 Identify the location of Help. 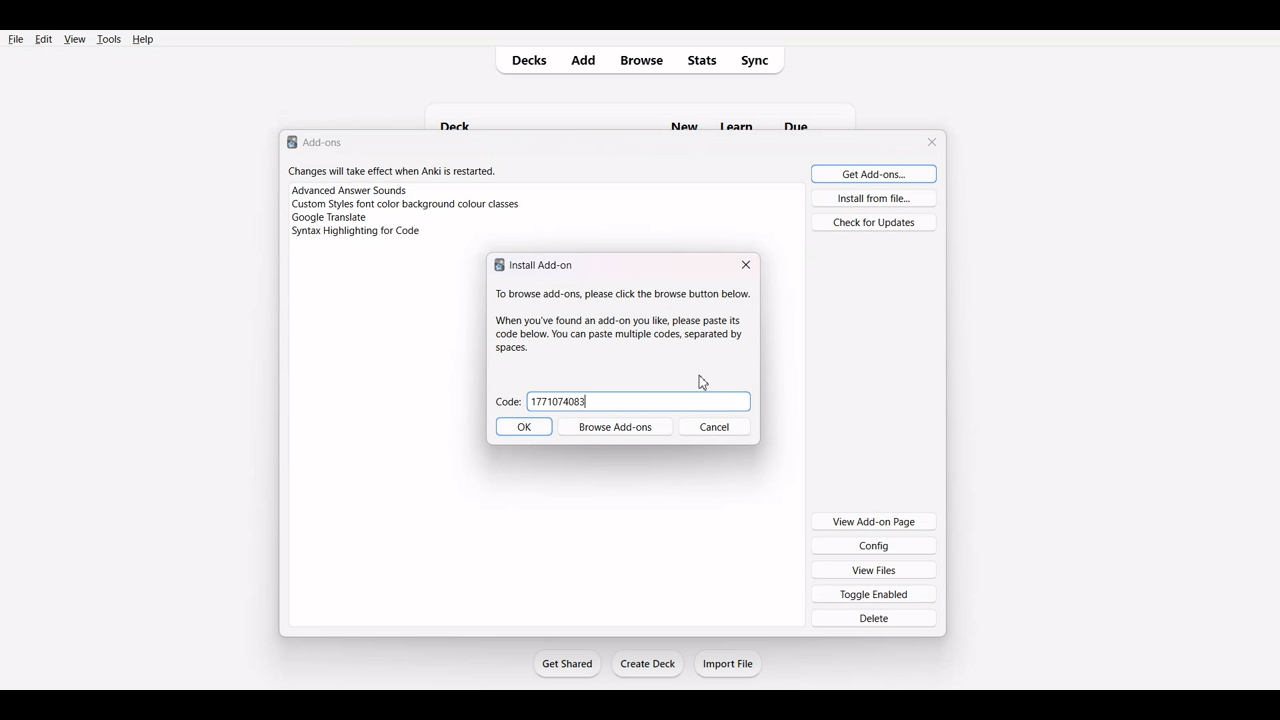
(142, 39).